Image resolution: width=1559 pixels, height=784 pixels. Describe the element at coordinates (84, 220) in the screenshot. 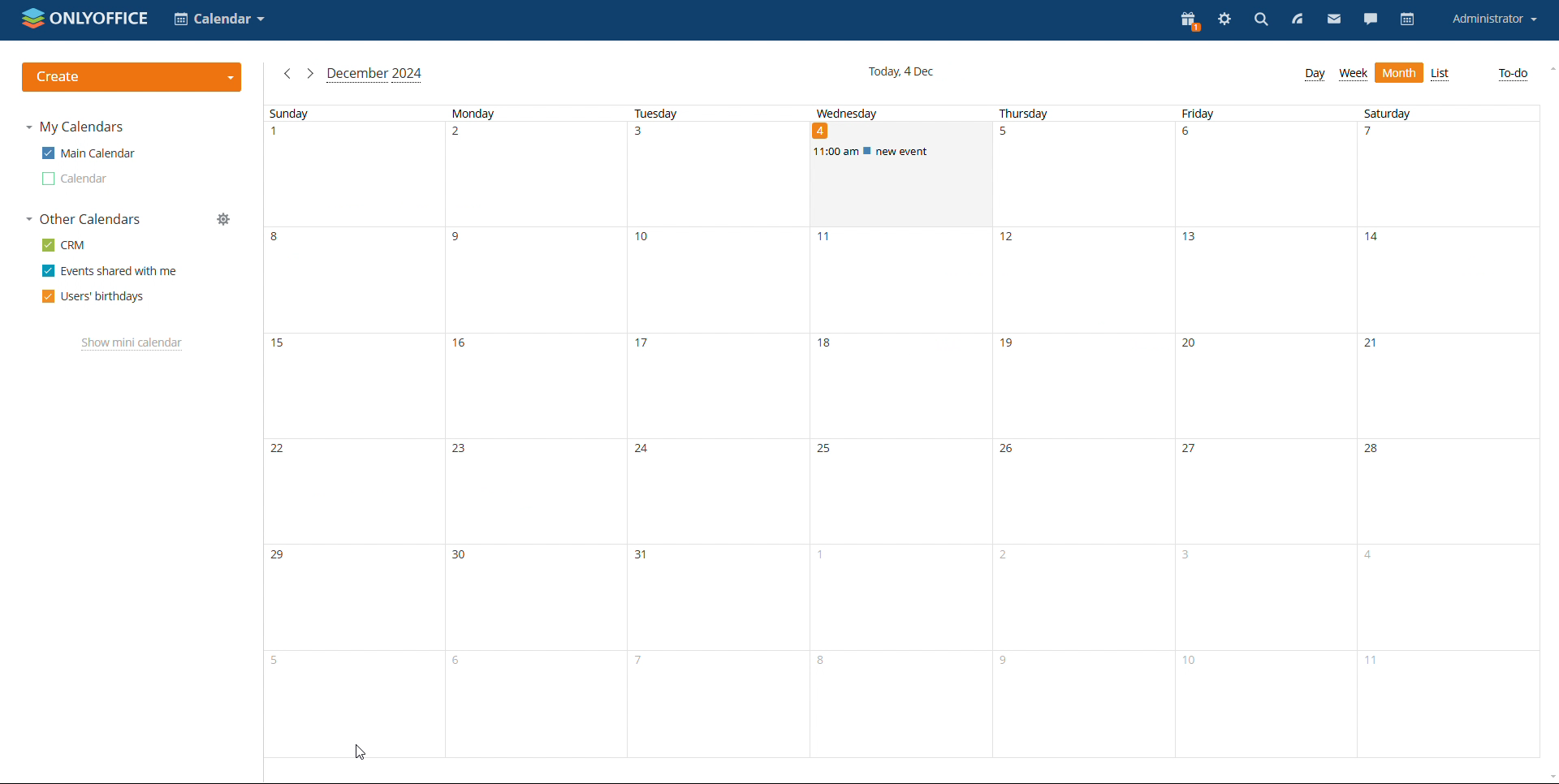

I see `other calendars` at that location.